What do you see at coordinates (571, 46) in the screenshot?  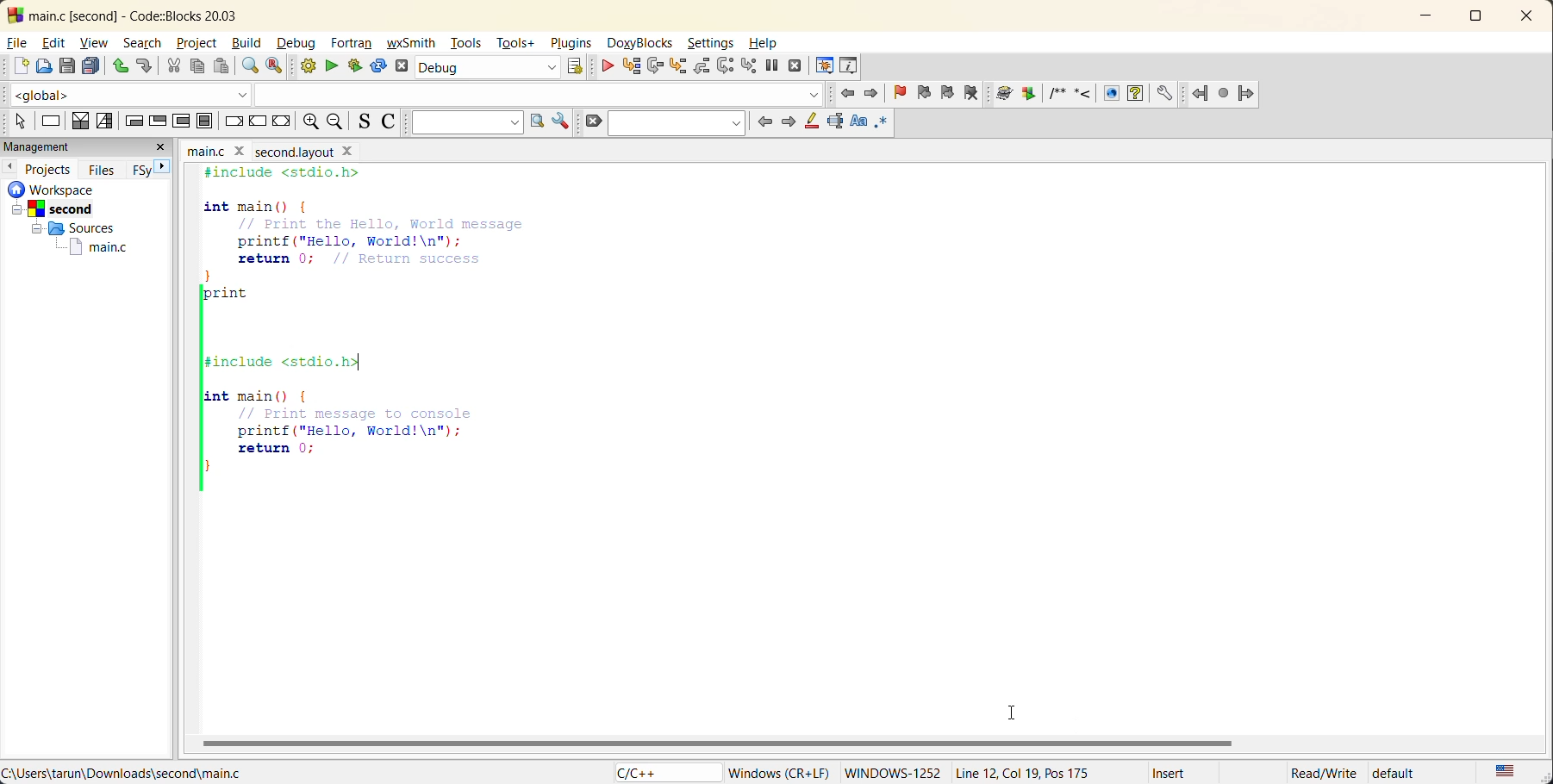 I see `plugins` at bounding box center [571, 46].